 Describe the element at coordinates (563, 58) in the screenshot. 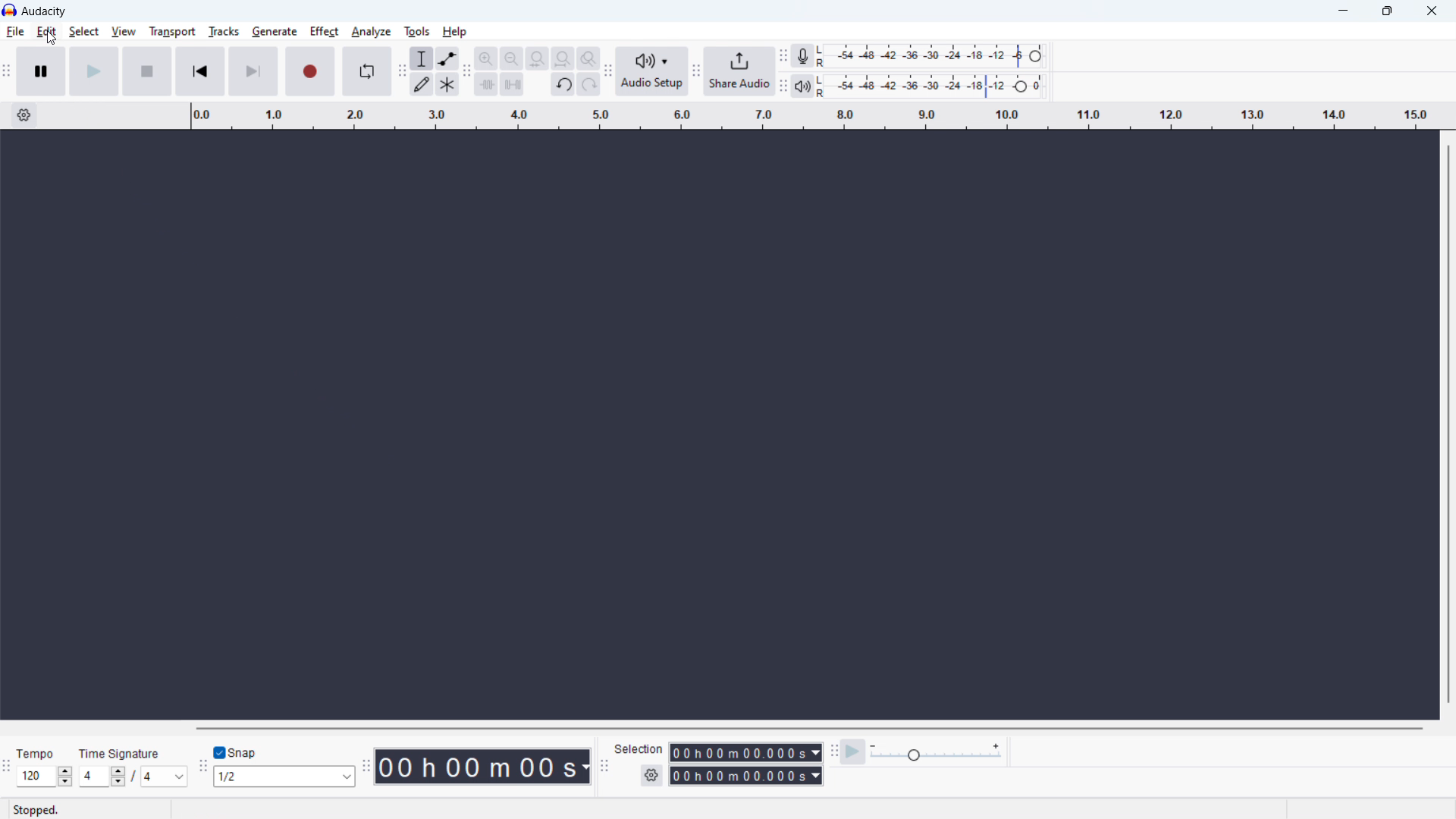

I see `fit project to width` at that location.